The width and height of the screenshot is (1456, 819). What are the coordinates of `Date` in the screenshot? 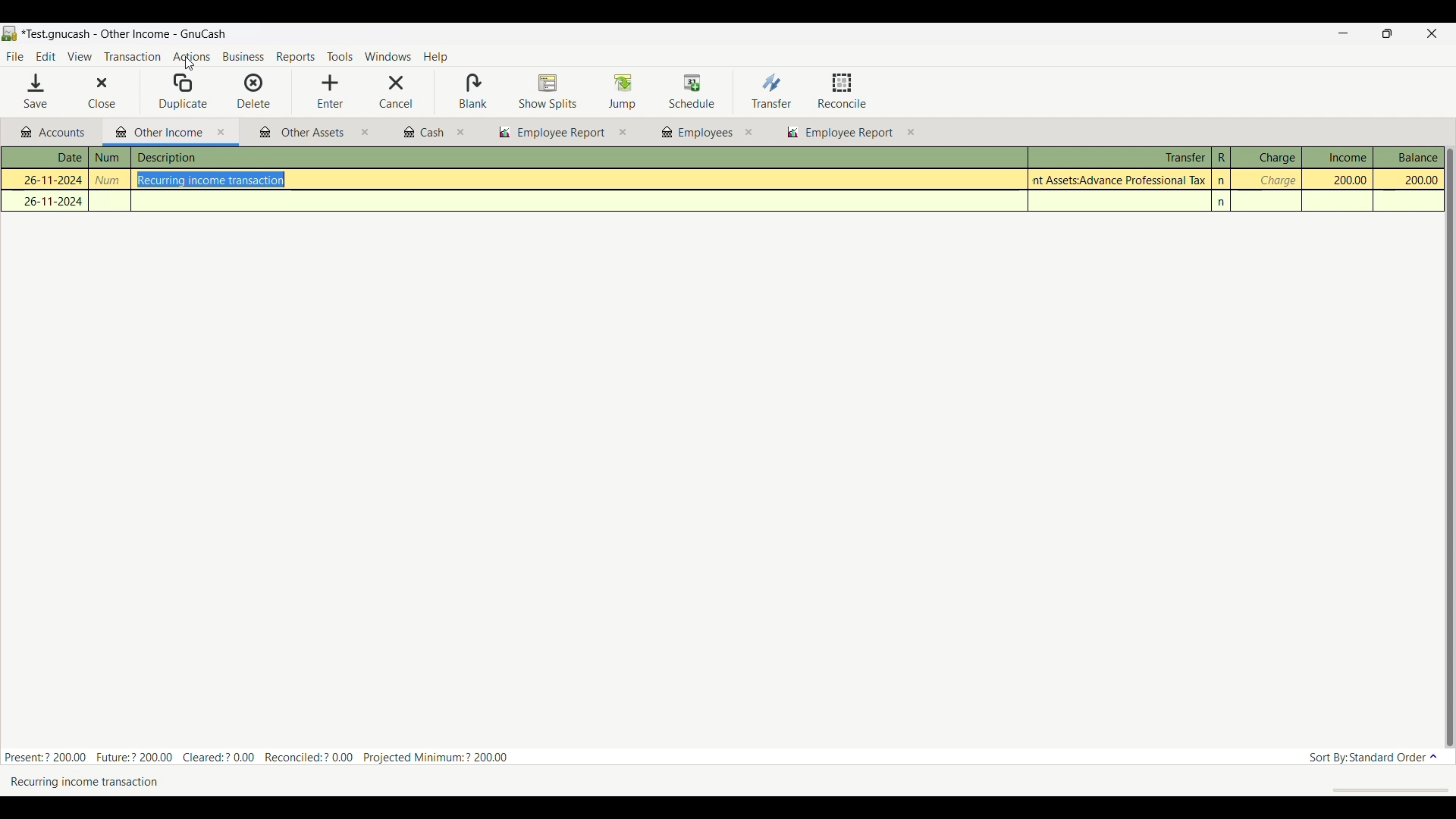 It's located at (53, 158).